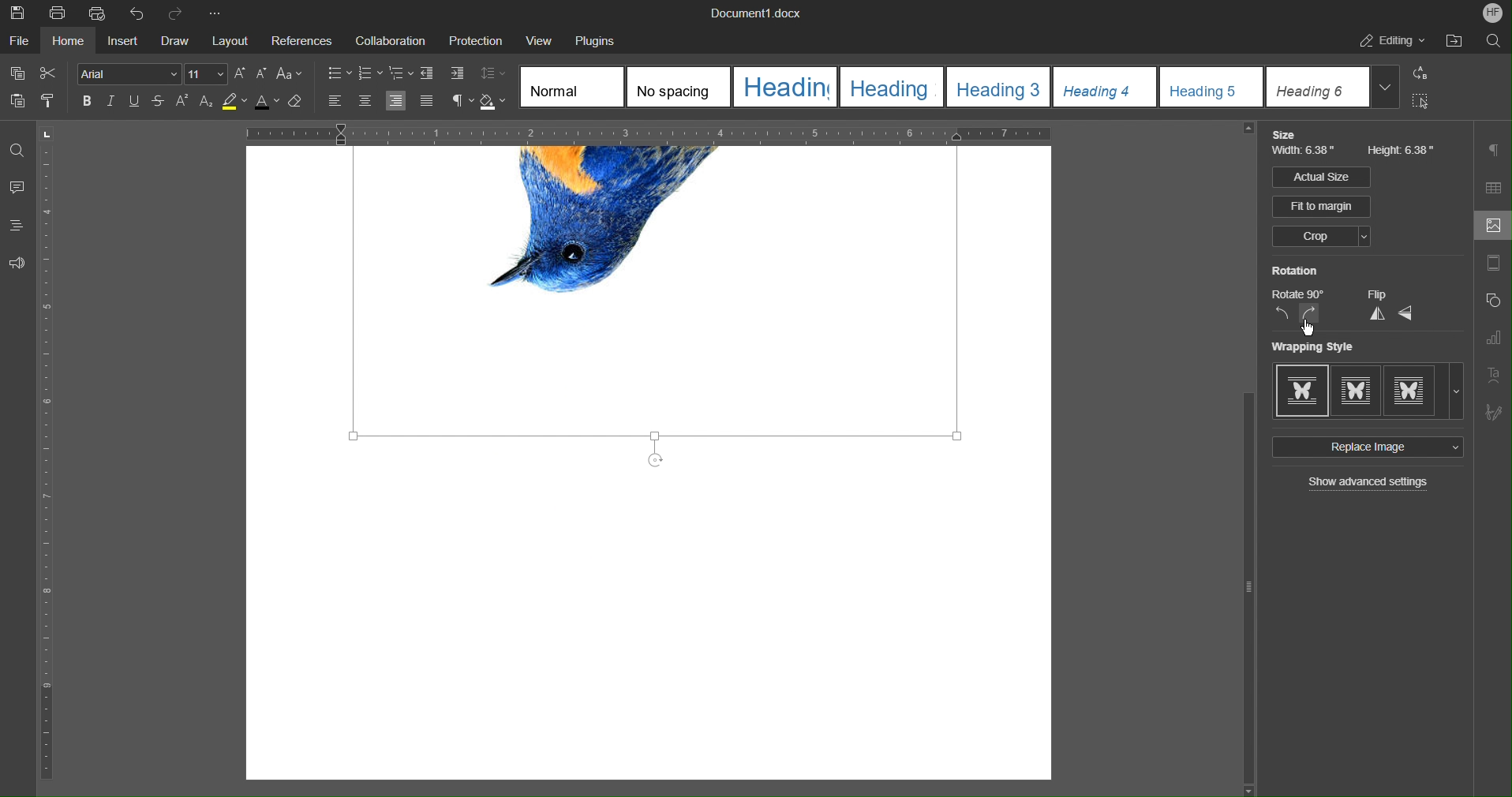  I want to click on Find, so click(1491, 41).